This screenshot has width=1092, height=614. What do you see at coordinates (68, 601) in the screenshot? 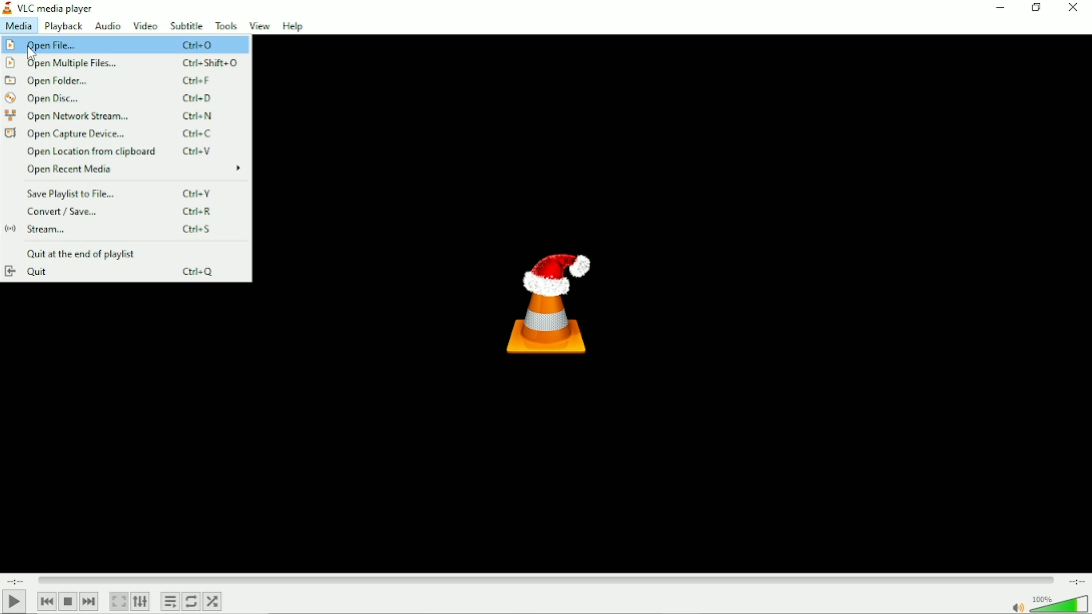
I see `Stop playback` at bounding box center [68, 601].